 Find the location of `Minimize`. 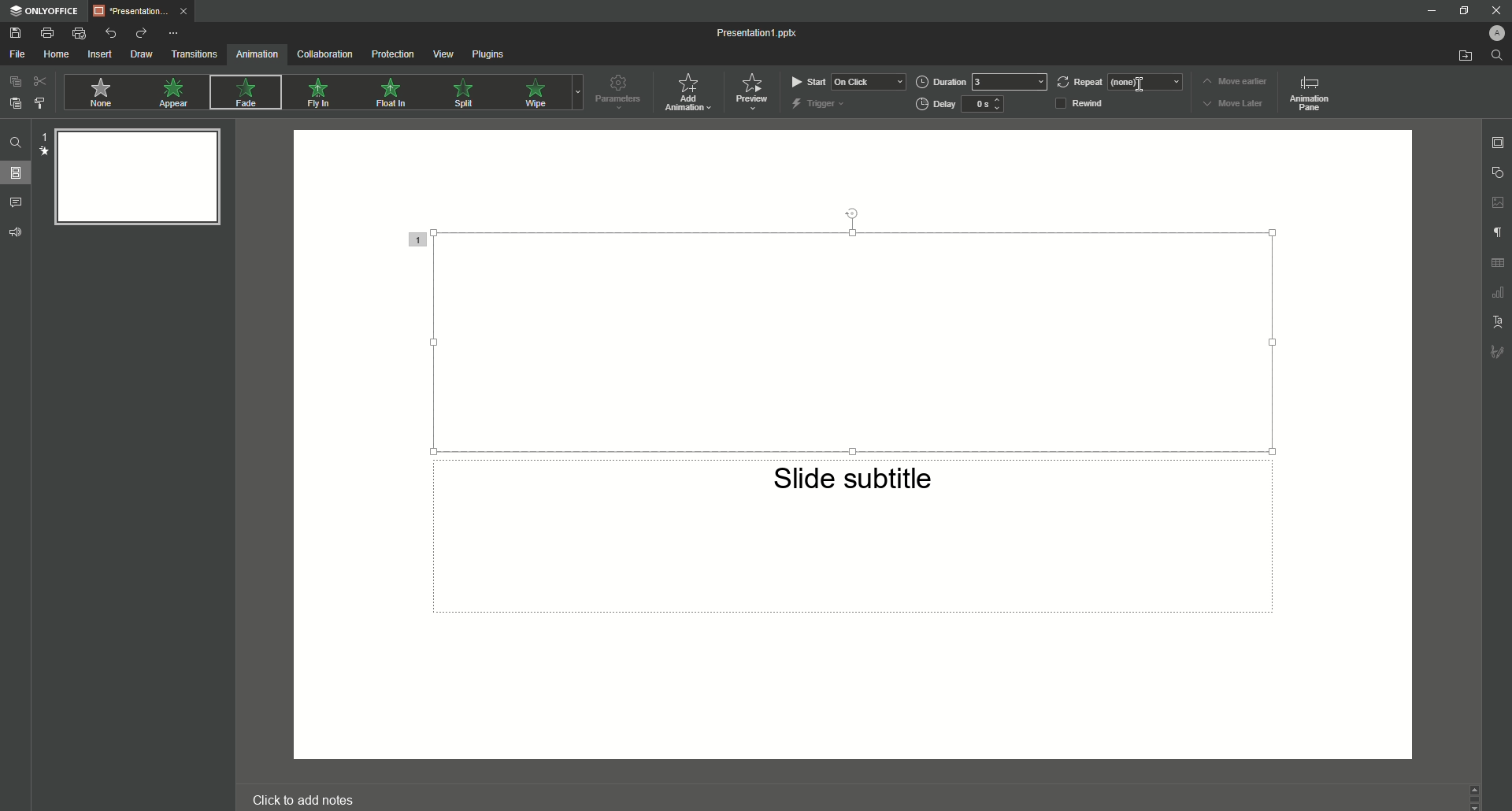

Minimize is located at coordinates (1434, 11).